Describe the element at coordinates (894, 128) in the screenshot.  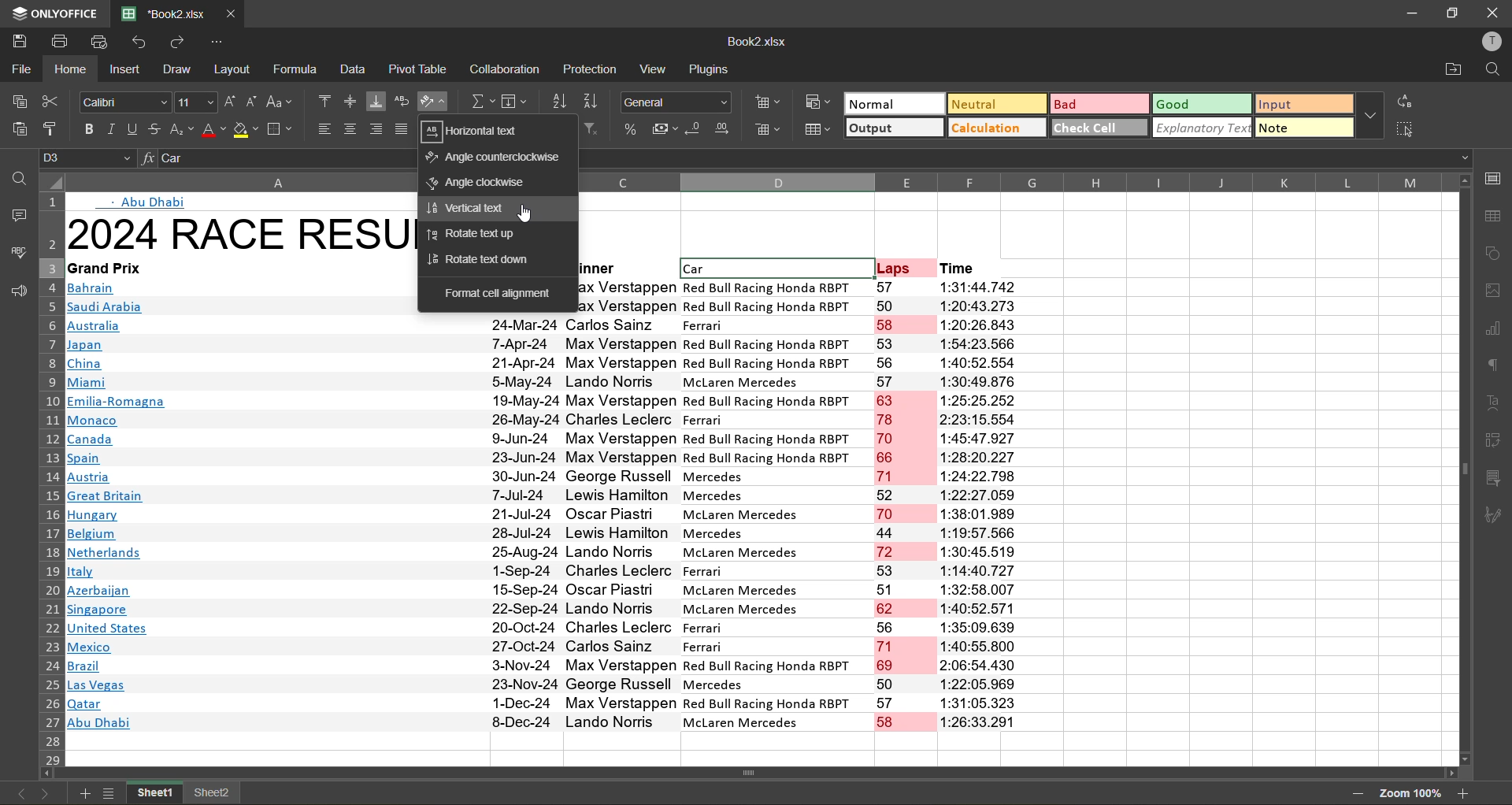
I see `output` at that location.